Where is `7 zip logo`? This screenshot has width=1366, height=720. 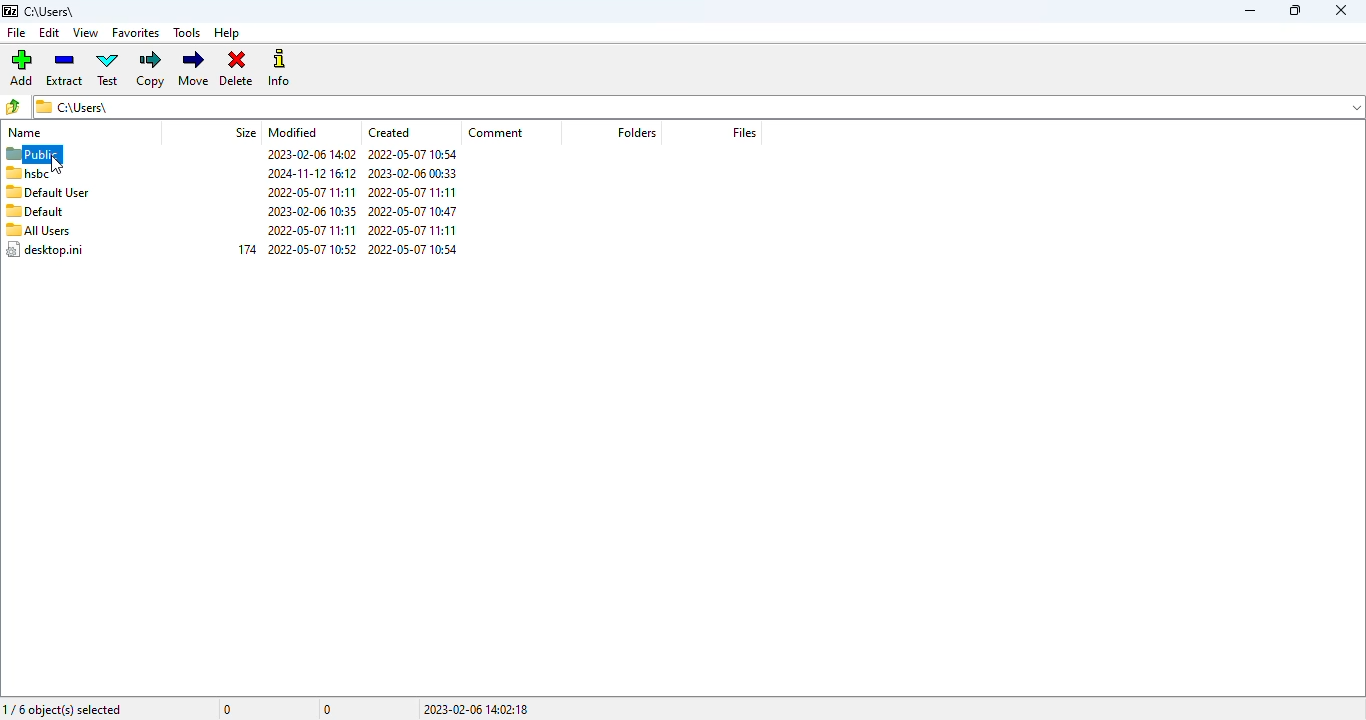 7 zip logo is located at coordinates (11, 12).